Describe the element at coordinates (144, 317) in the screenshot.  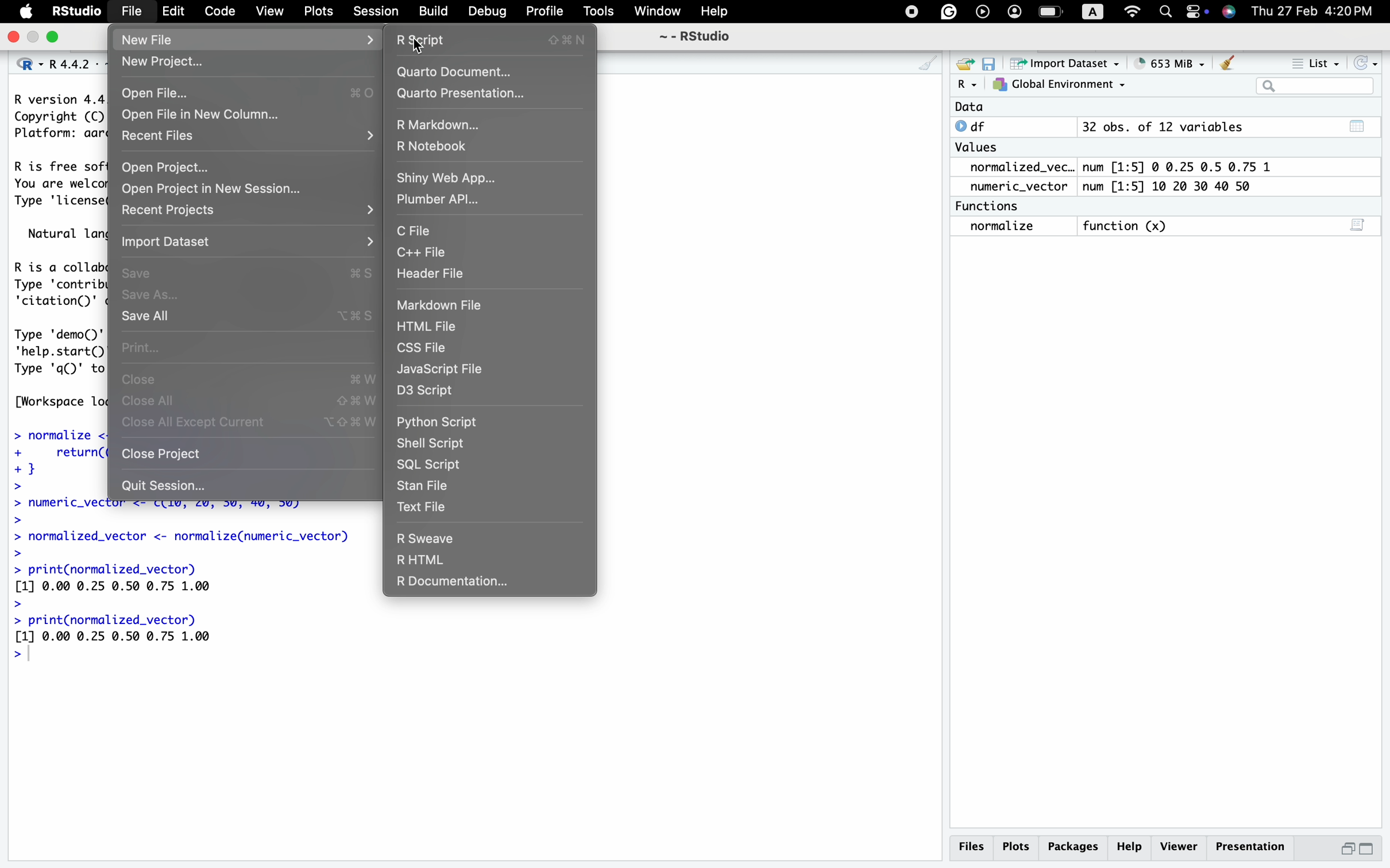
I see `Save All` at that location.